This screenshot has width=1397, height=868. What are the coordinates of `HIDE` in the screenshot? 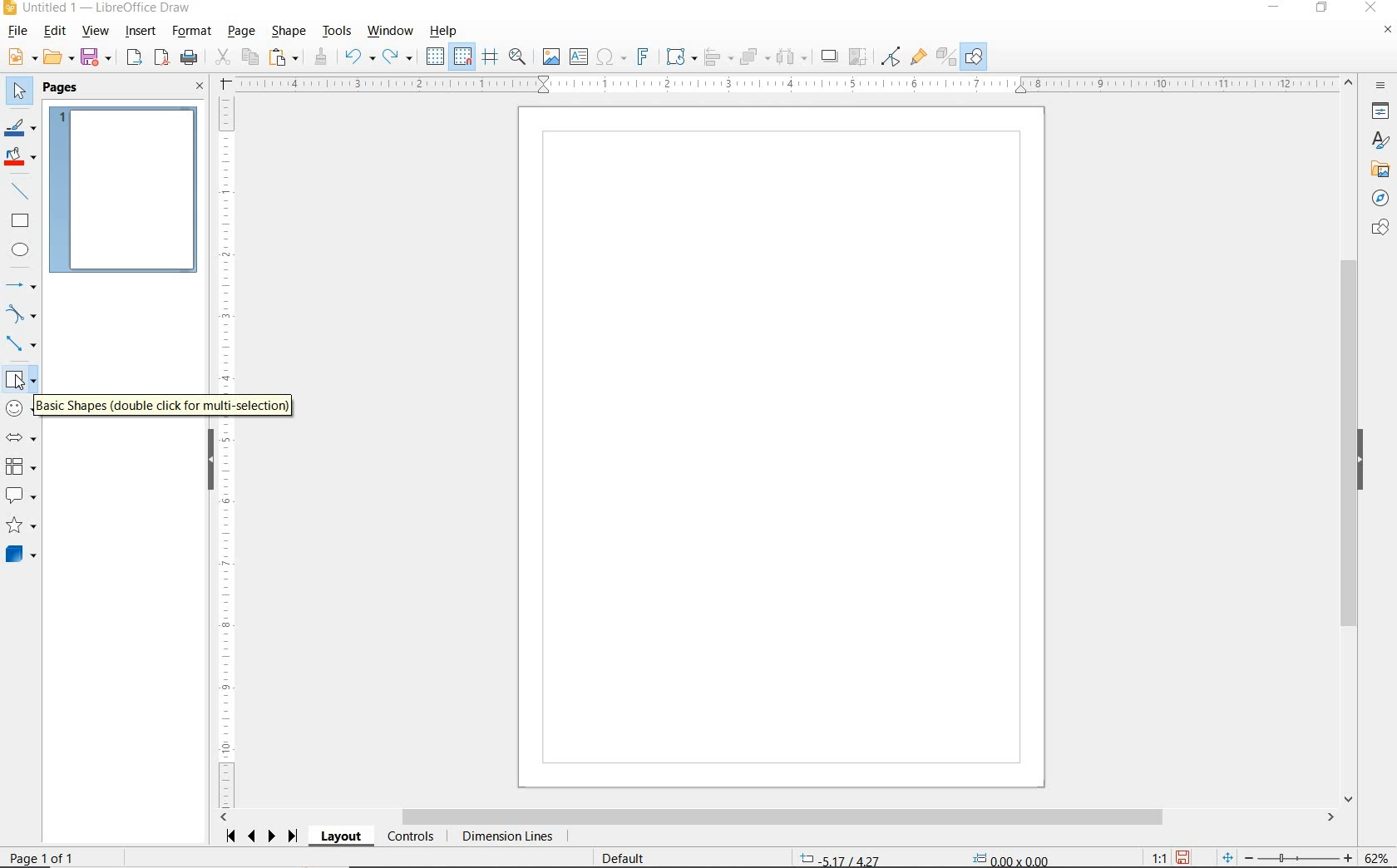 It's located at (210, 461).